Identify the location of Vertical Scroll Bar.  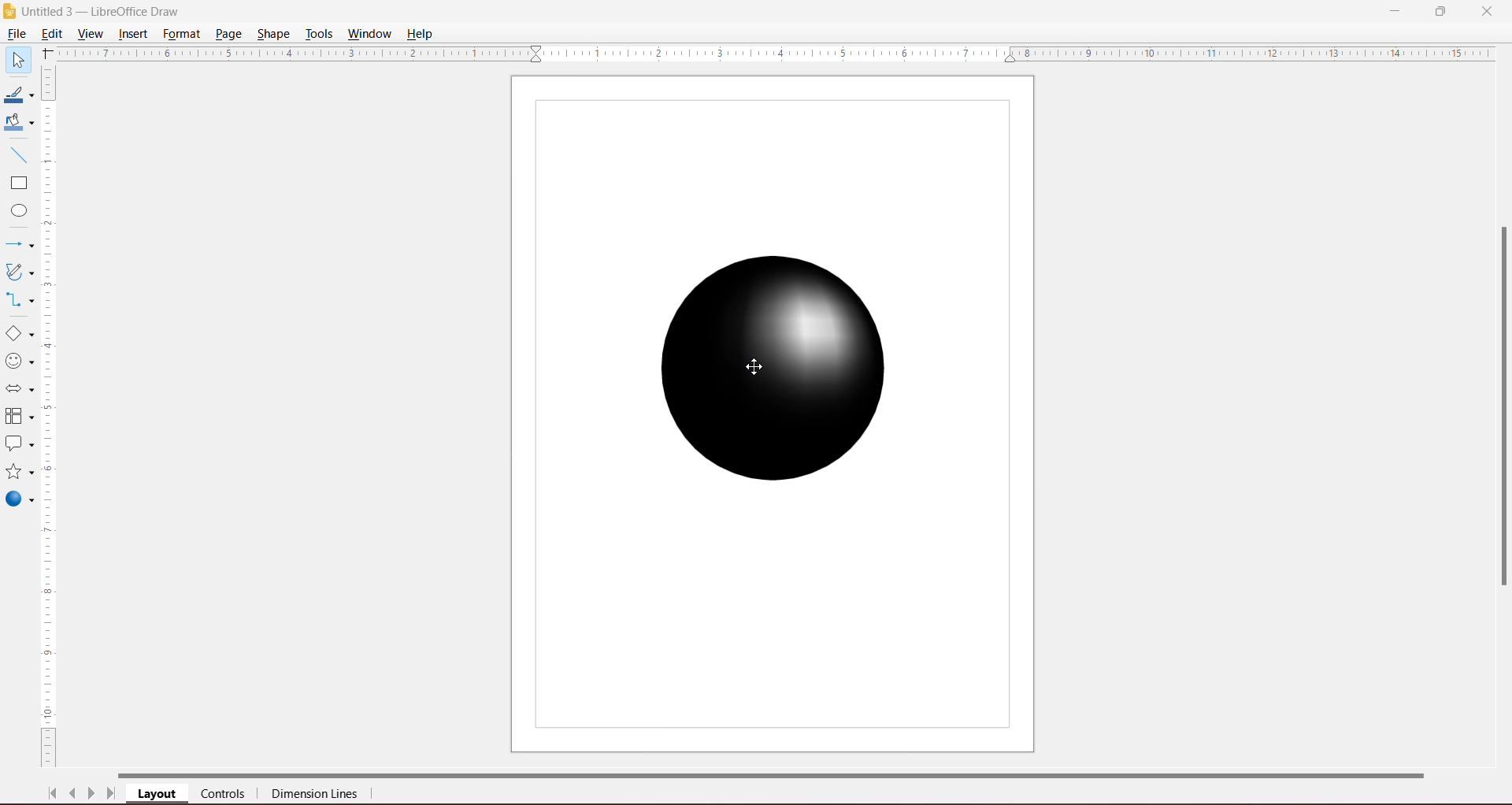
(1499, 407).